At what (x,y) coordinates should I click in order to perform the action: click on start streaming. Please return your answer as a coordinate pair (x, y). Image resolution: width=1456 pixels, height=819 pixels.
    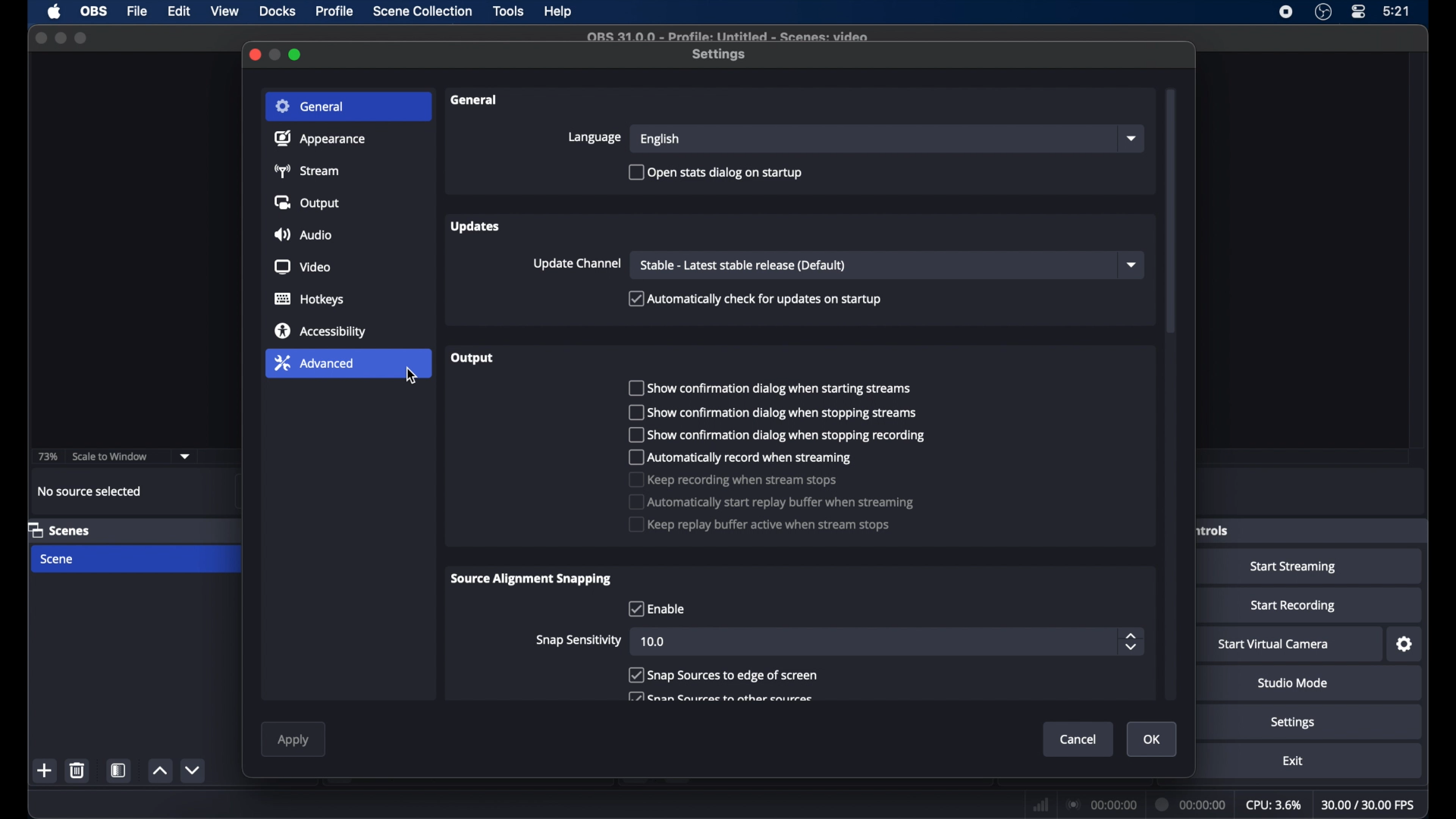
    Looking at the image, I should click on (1297, 567).